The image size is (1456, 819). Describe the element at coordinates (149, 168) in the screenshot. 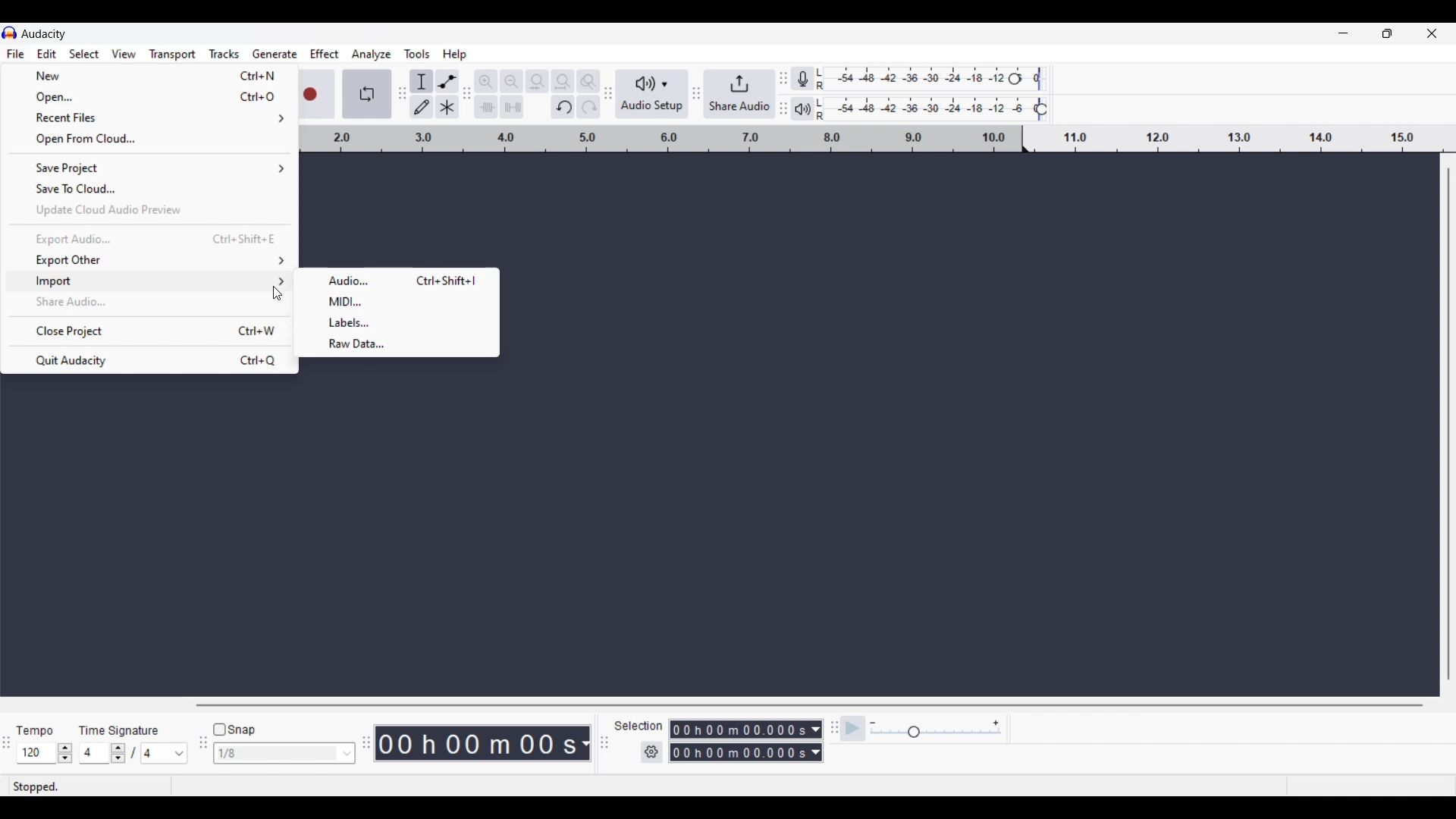

I see `Save project options` at that location.